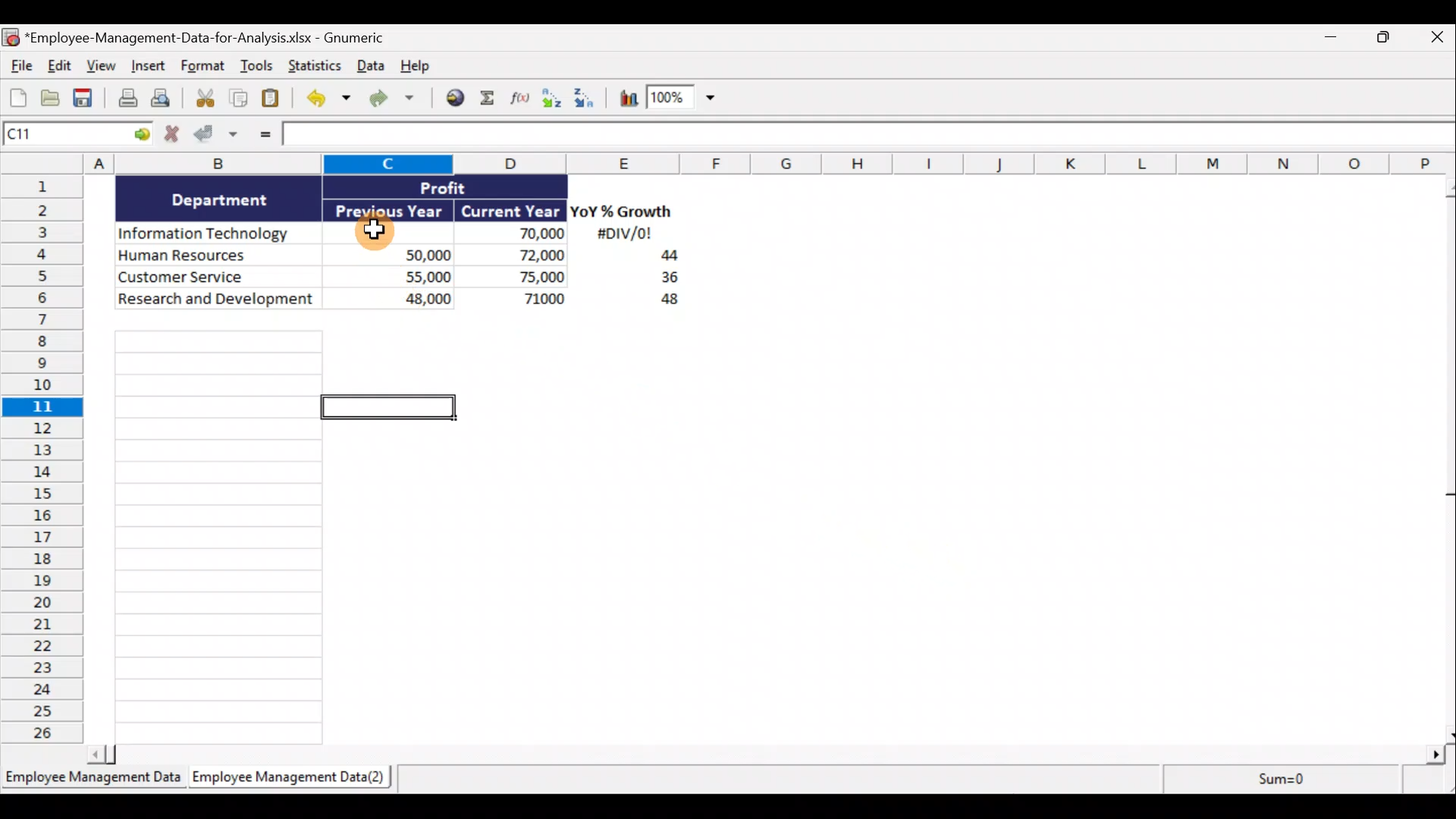  What do you see at coordinates (622, 97) in the screenshot?
I see `Insert a chart` at bounding box center [622, 97].